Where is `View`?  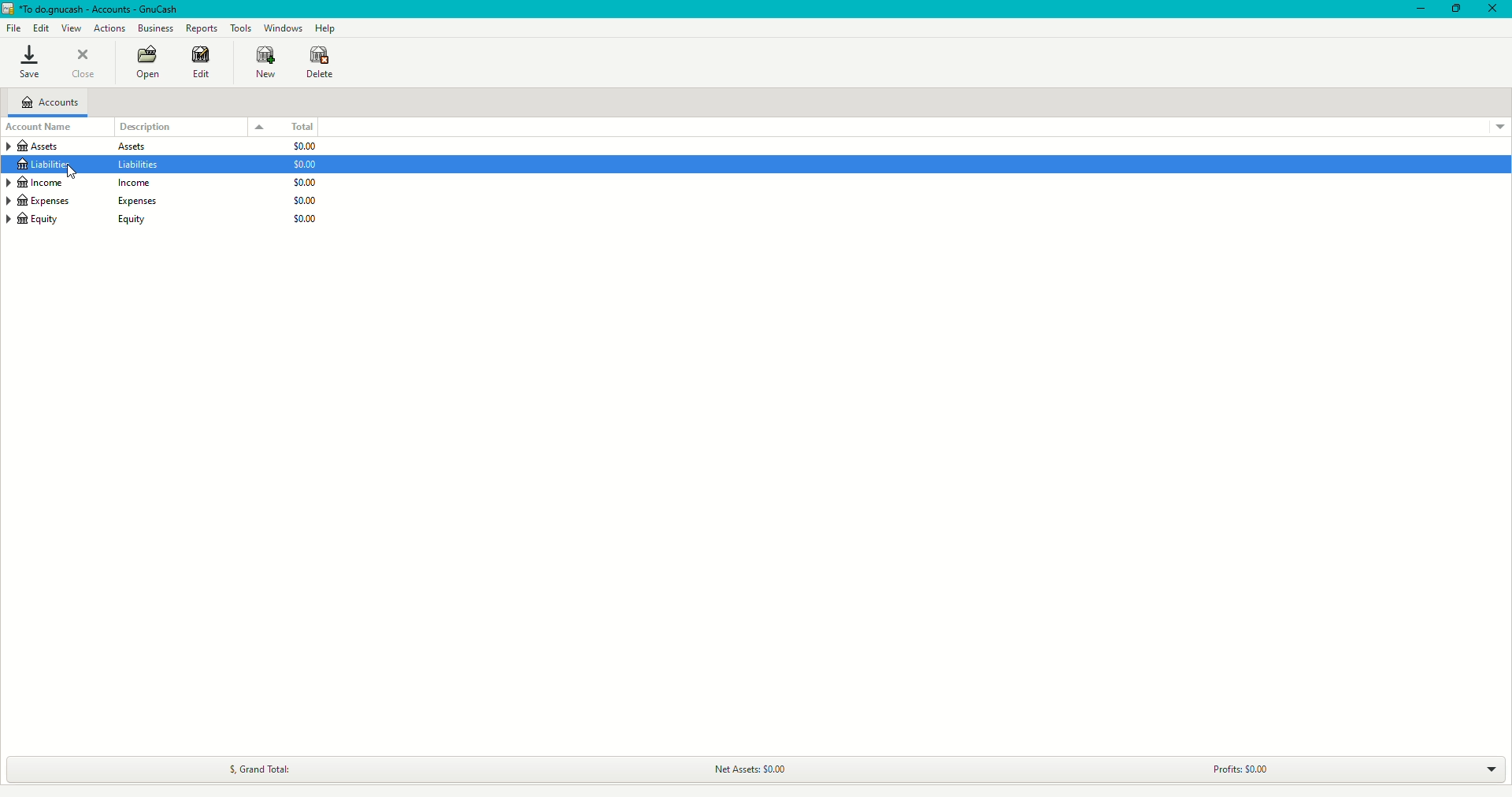 View is located at coordinates (74, 28).